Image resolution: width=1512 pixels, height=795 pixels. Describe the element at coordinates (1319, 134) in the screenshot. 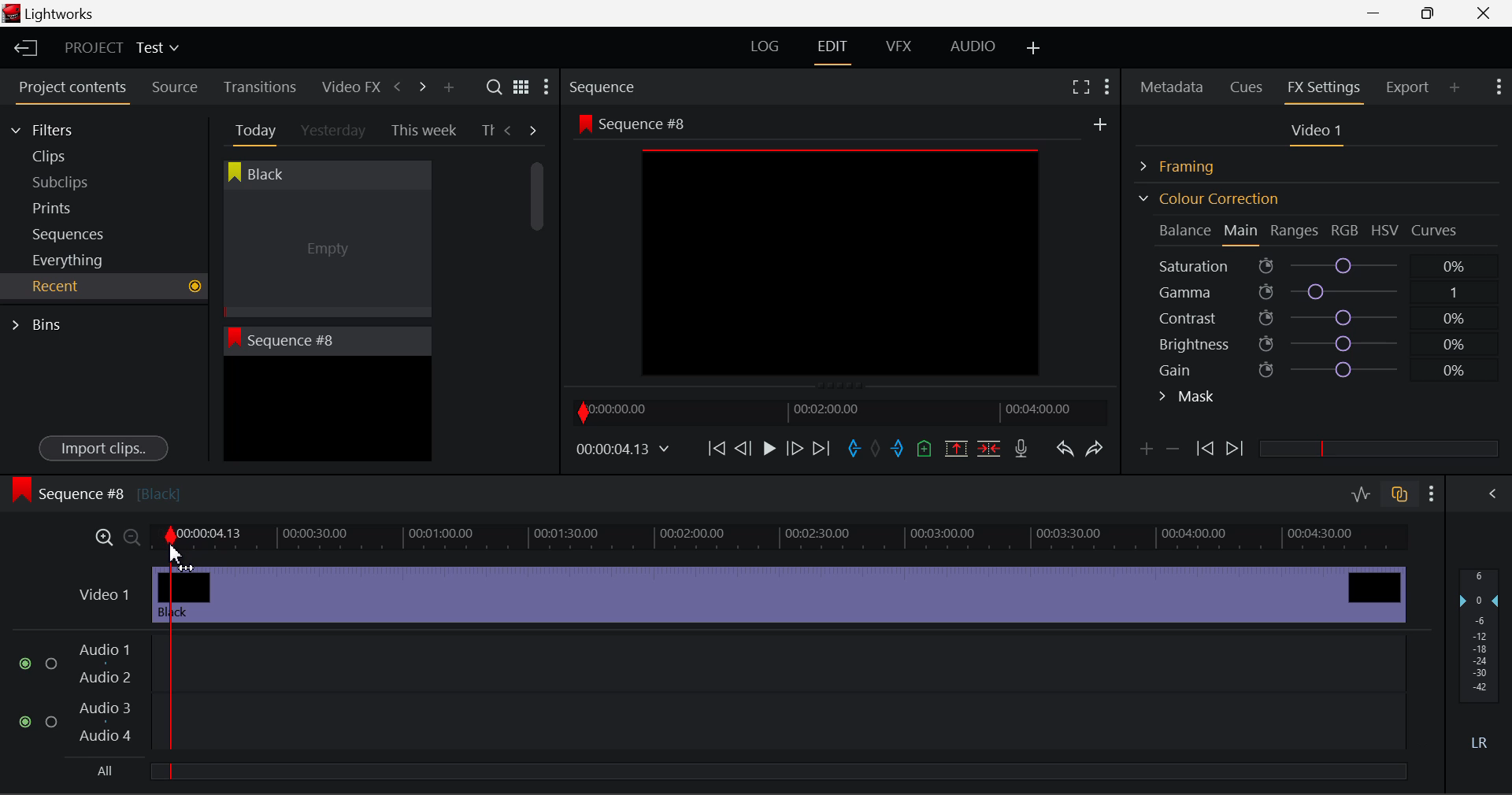

I see `Video 1 Settings` at that location.